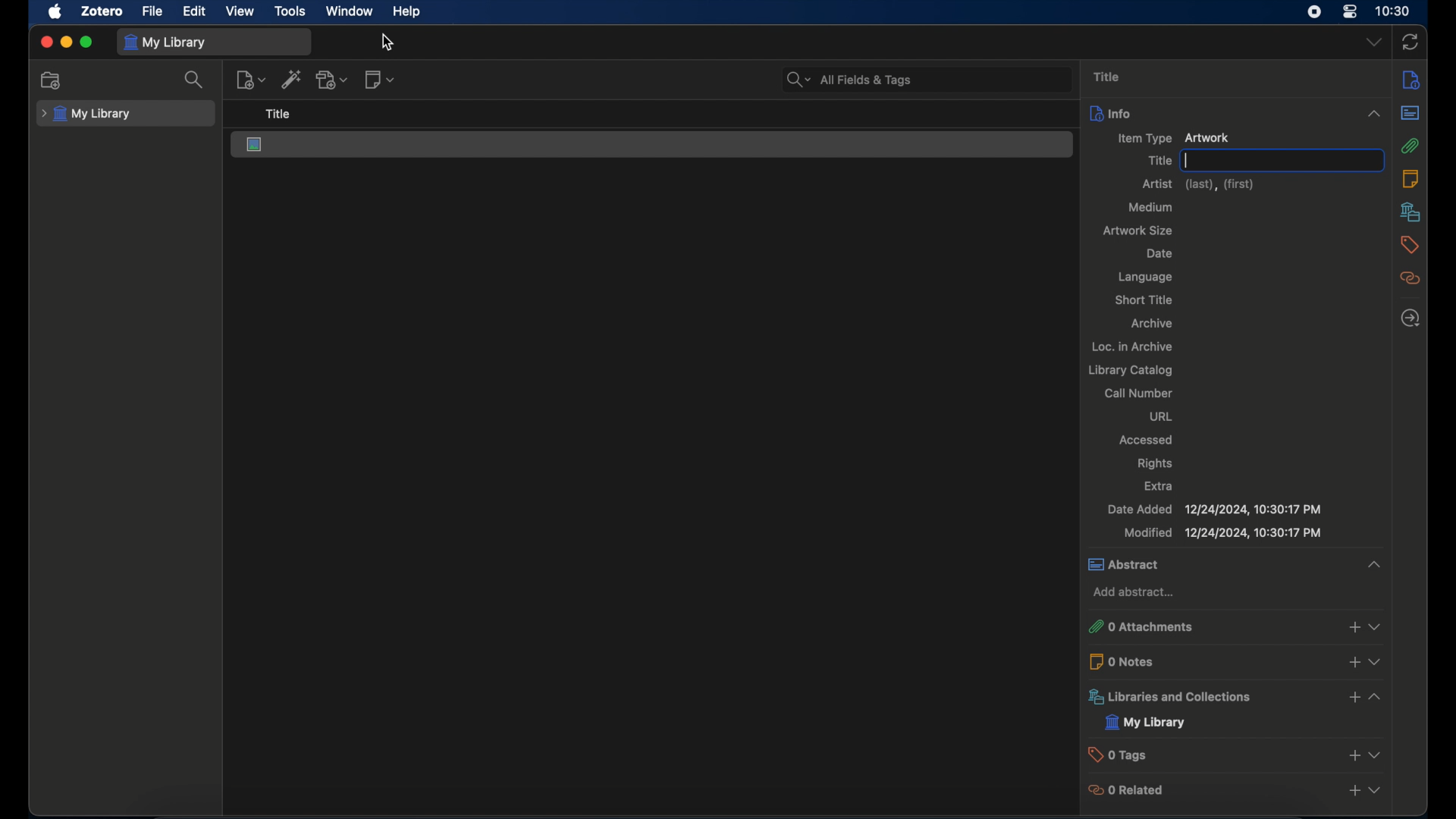 The width and height of the screenshot is (1456, 819). Describe the element at coordinates (1384, 667) in the screenshot. I see `expand section` at that location.